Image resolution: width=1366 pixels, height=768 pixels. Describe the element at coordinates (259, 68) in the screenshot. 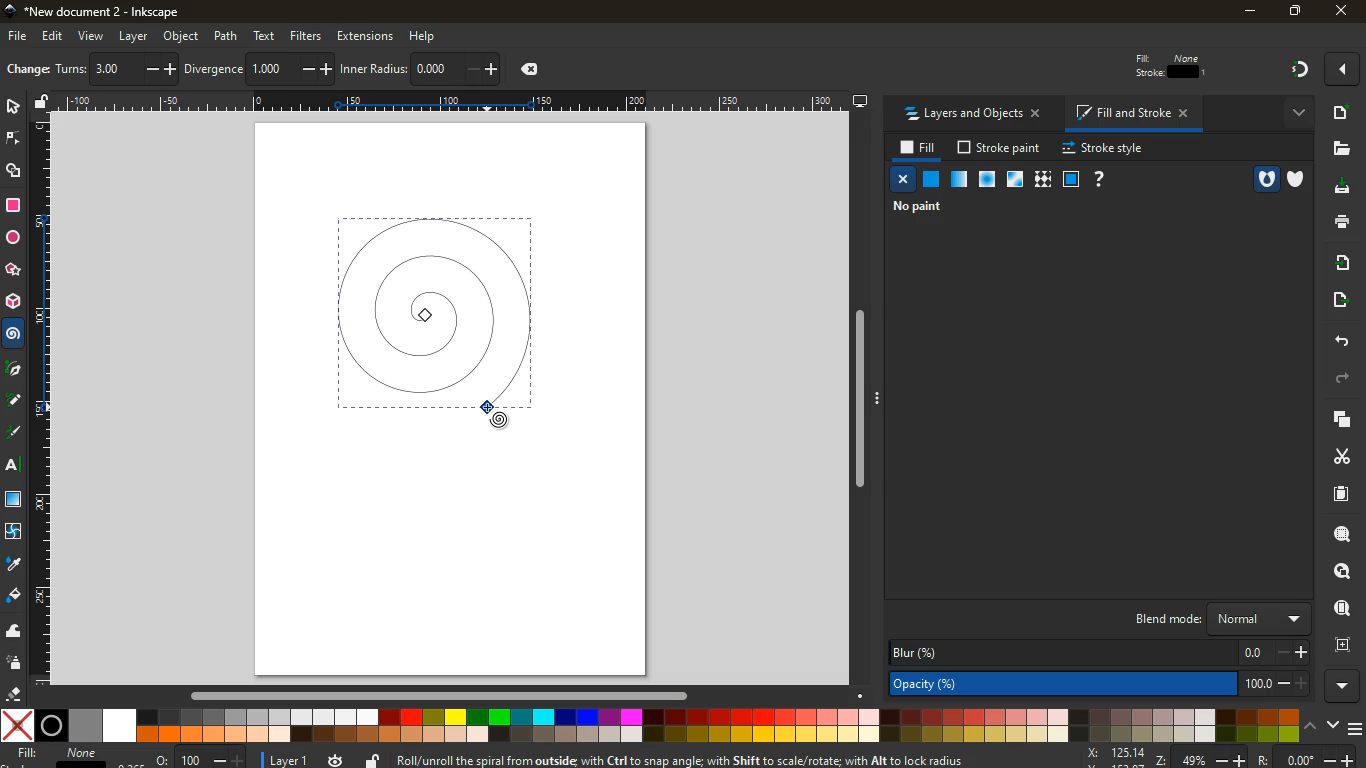

I see `divergence` at that location.